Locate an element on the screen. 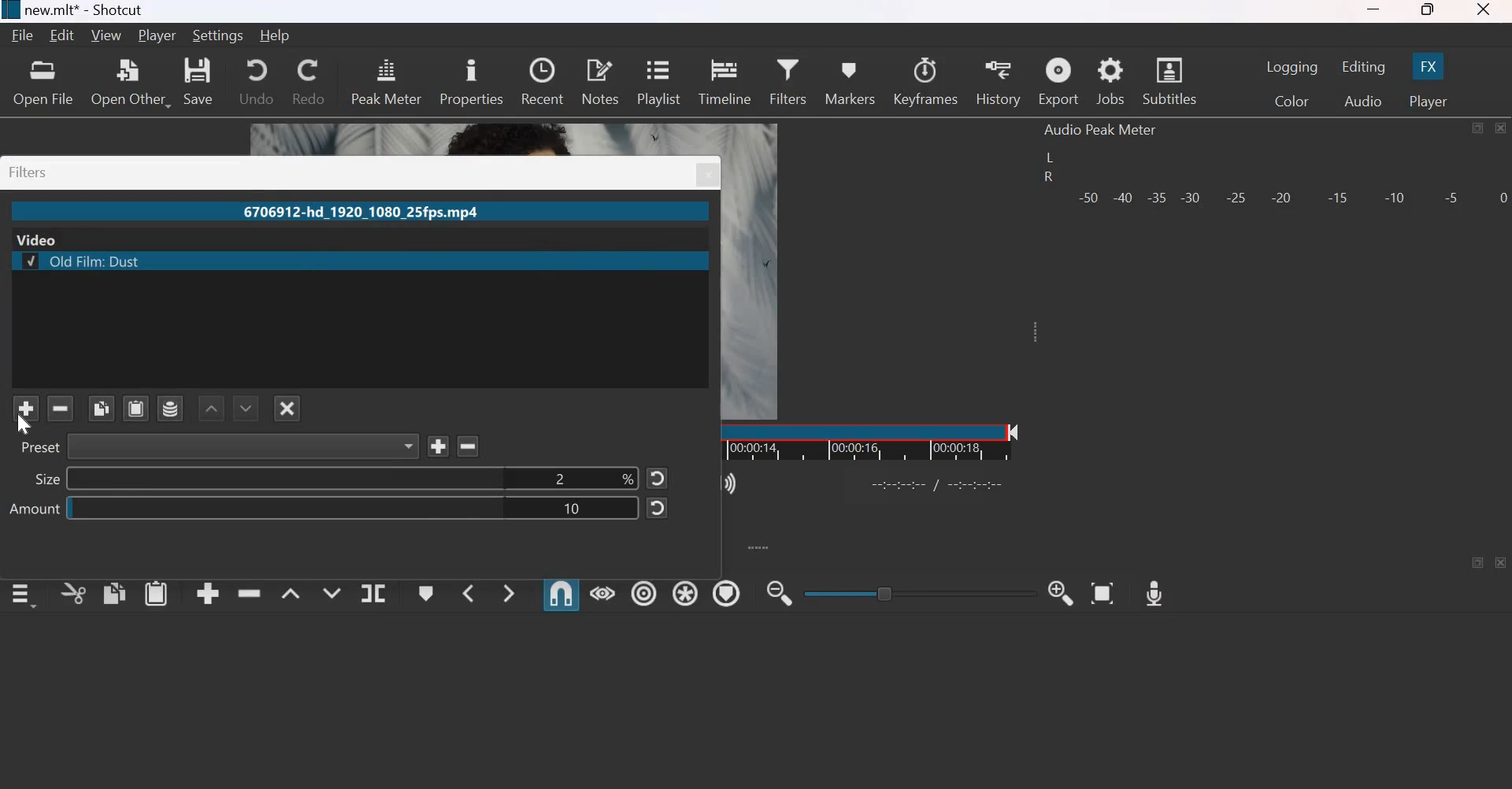  Zoom Timeline to Fit is located at coordinates (1102, 593).